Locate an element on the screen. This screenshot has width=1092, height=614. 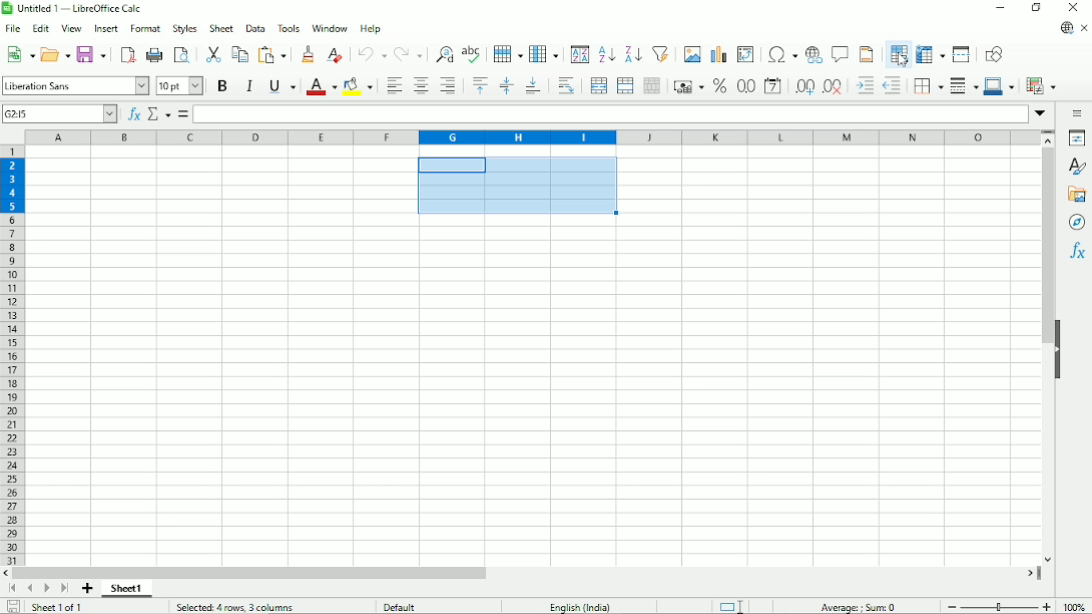
Autofilter is located at coordinates (660, 53).